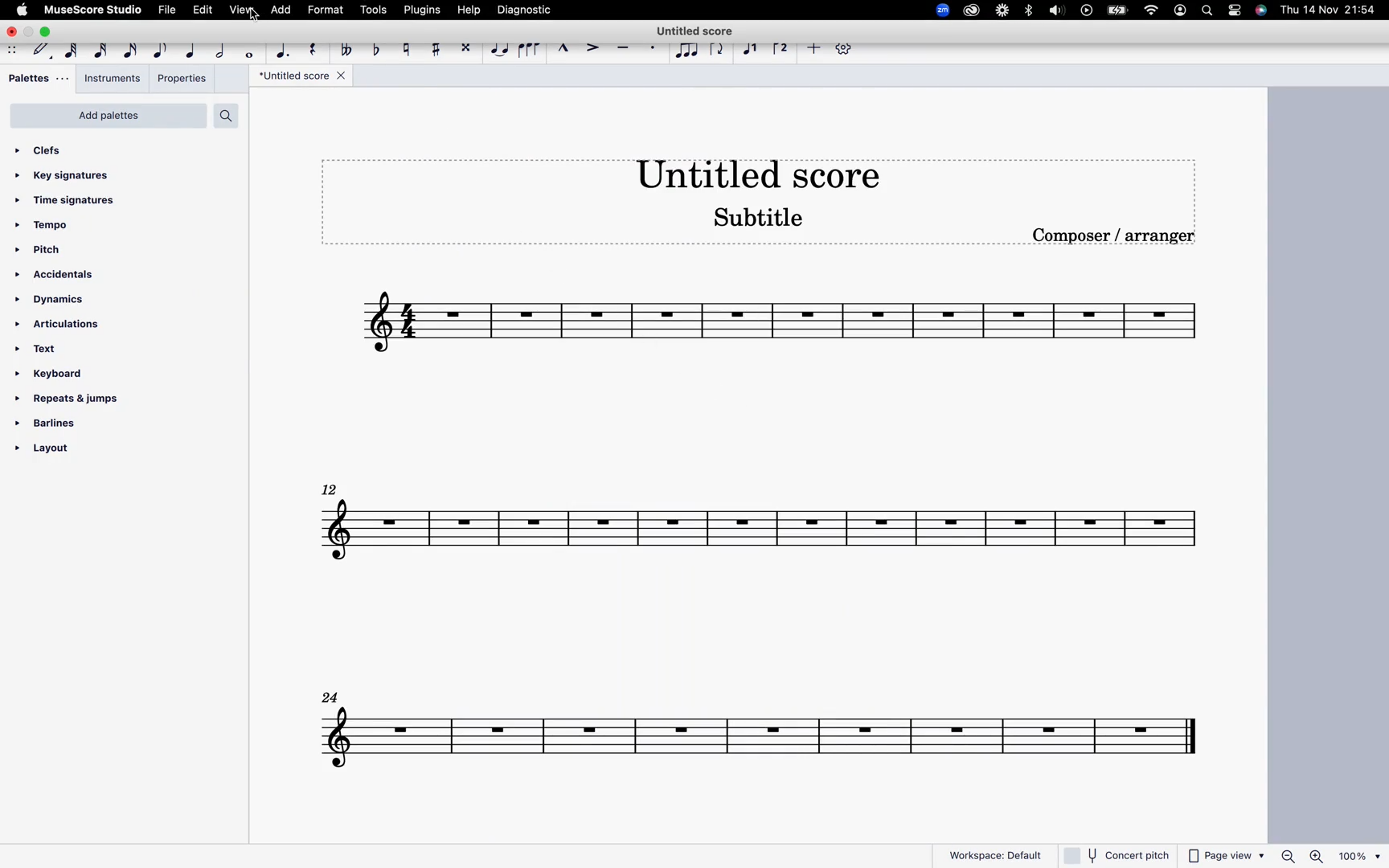 This screenshot has height=868, width=1389. I want to click on settings, so click(842, 51).